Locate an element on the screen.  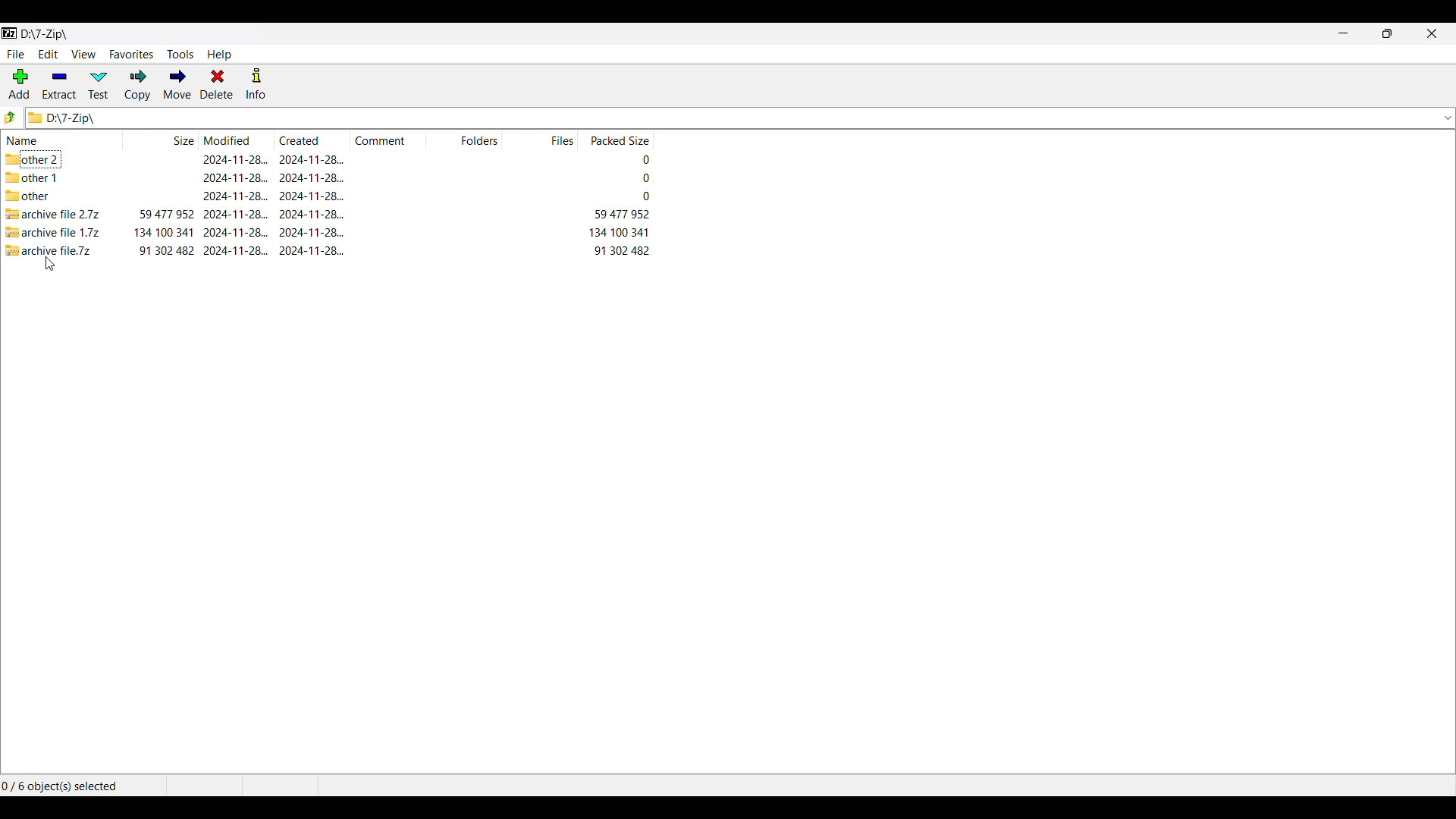
zip folder is located at coordinates (54, 232).